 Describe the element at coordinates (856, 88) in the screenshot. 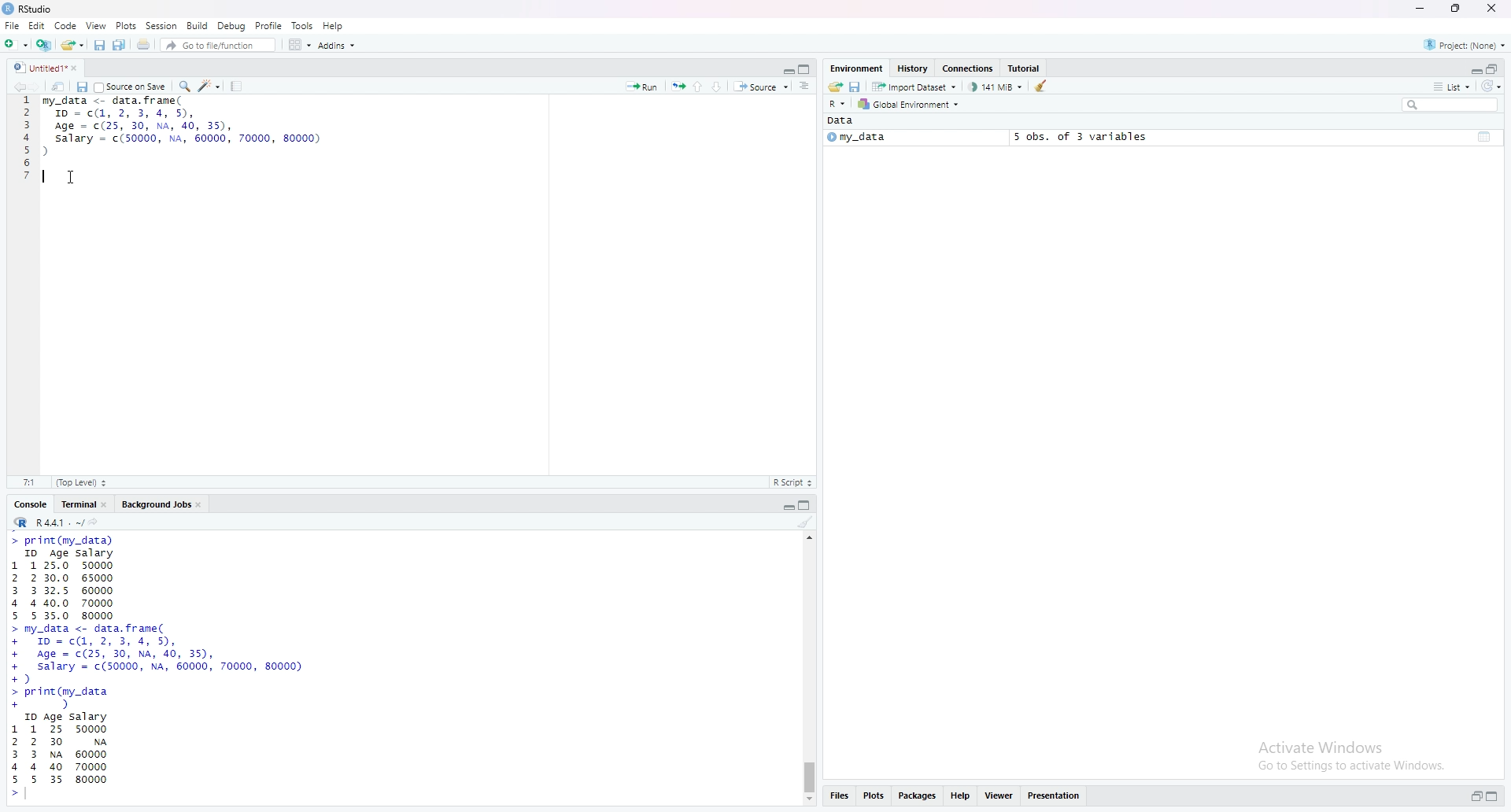

I see `save workspace` at that location.